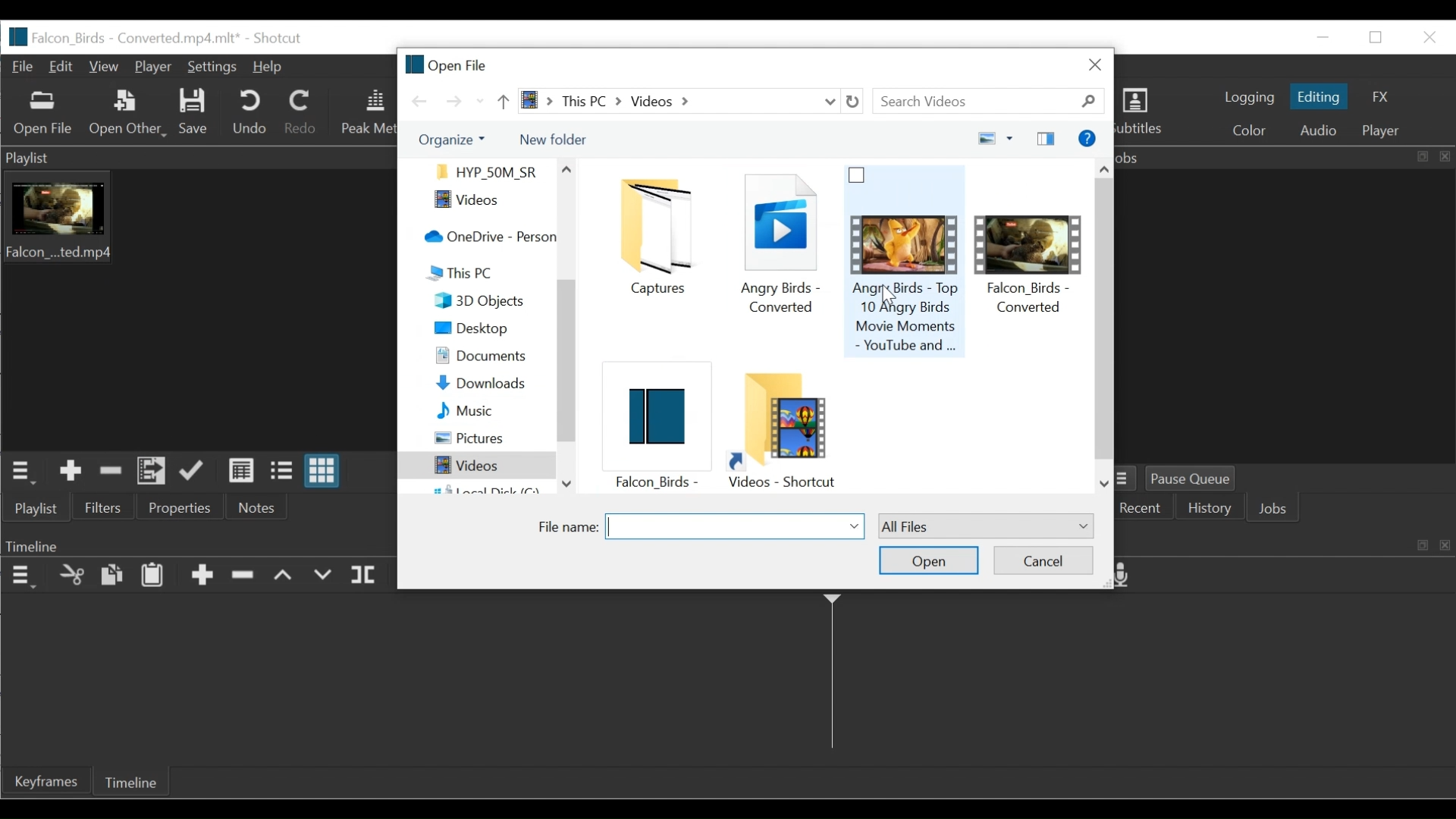 This screenshot has width=1456, height=819. Describe the element at coordinates (982, 139) in the screenshot. I see `change your view` at that location.